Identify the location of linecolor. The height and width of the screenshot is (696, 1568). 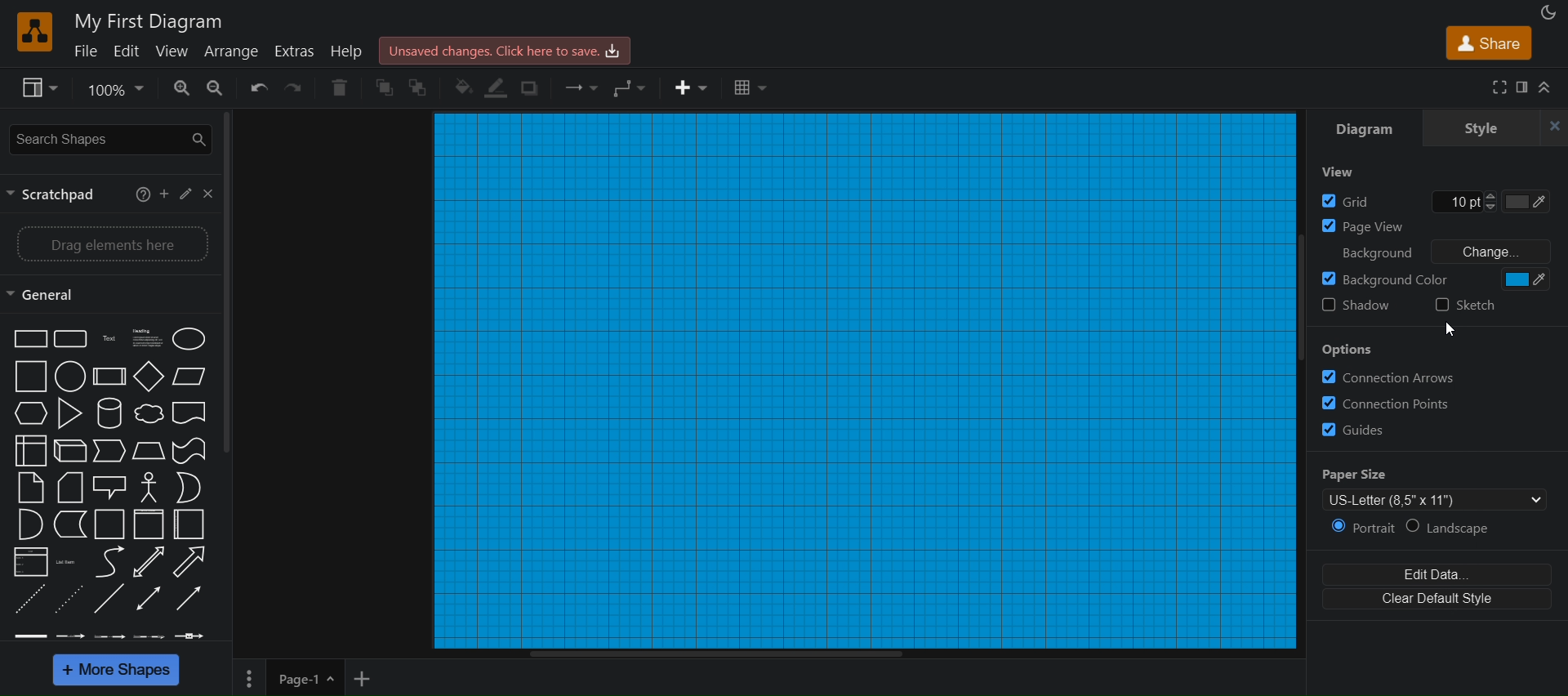
(497, 90).